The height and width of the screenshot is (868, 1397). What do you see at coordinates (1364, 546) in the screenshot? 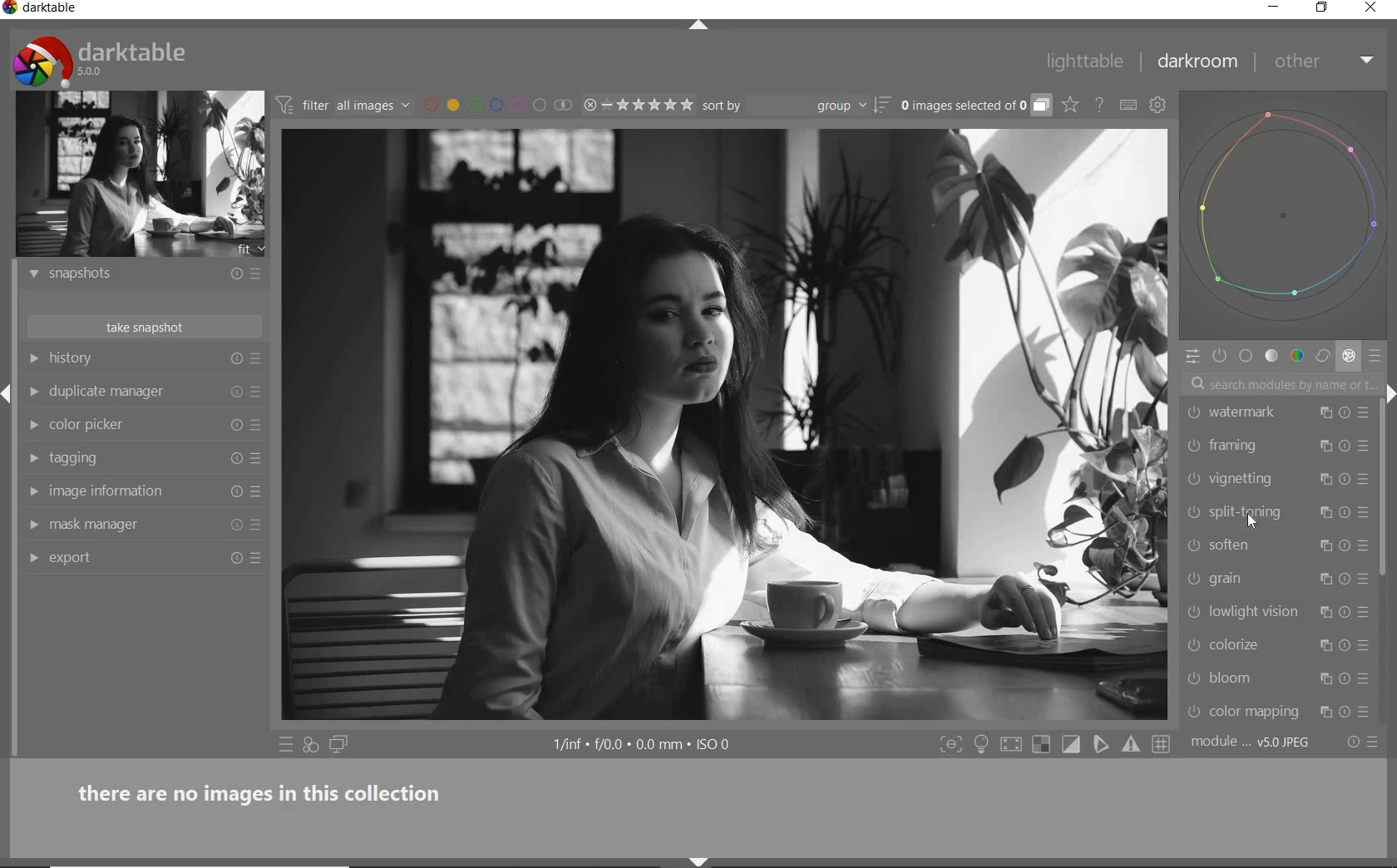
I see `preset and preferences` at bounding box center [1364, 546].